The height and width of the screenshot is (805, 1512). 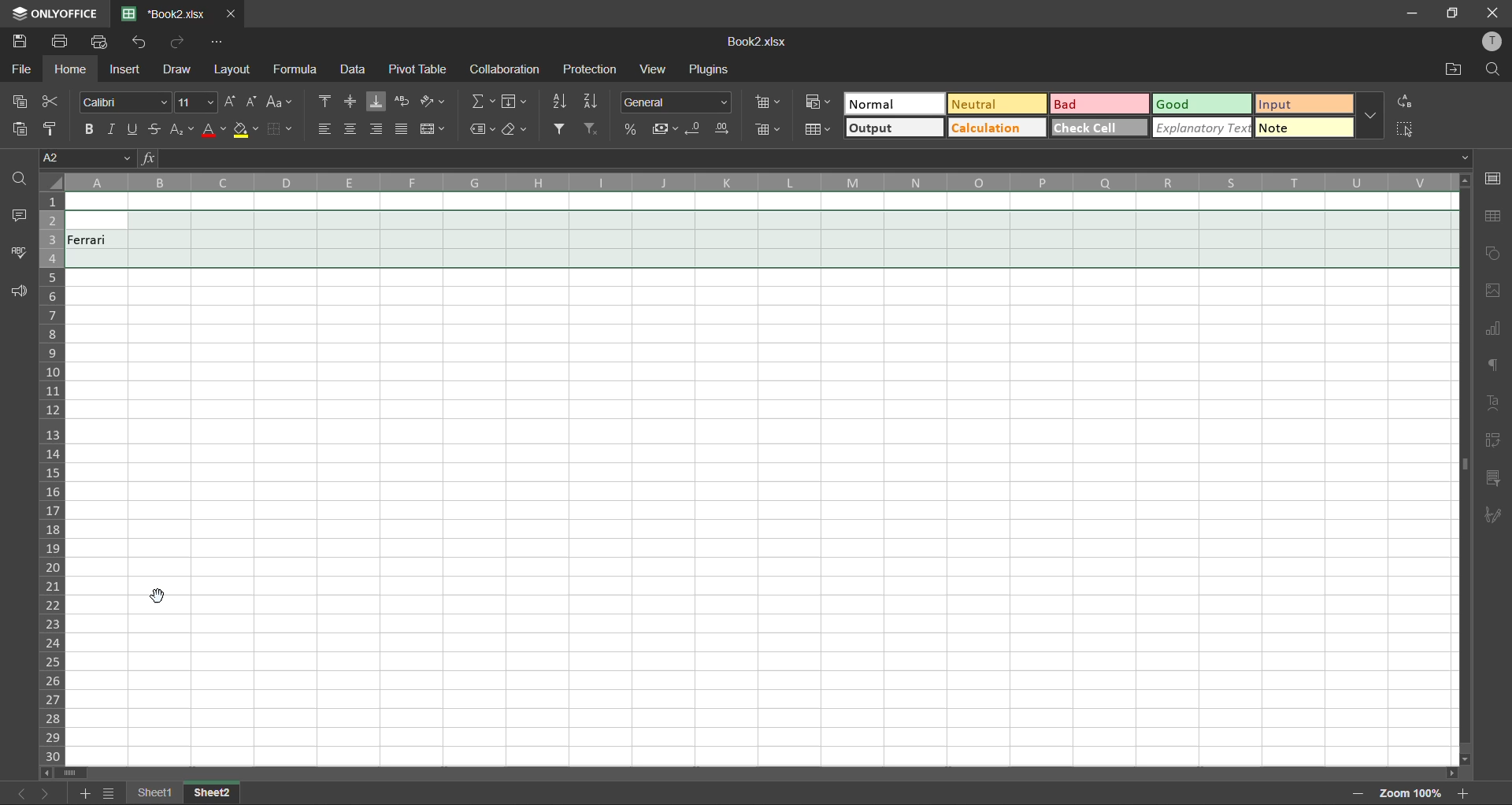 I want to click on explanatory text, so click(x=1202, y=129).